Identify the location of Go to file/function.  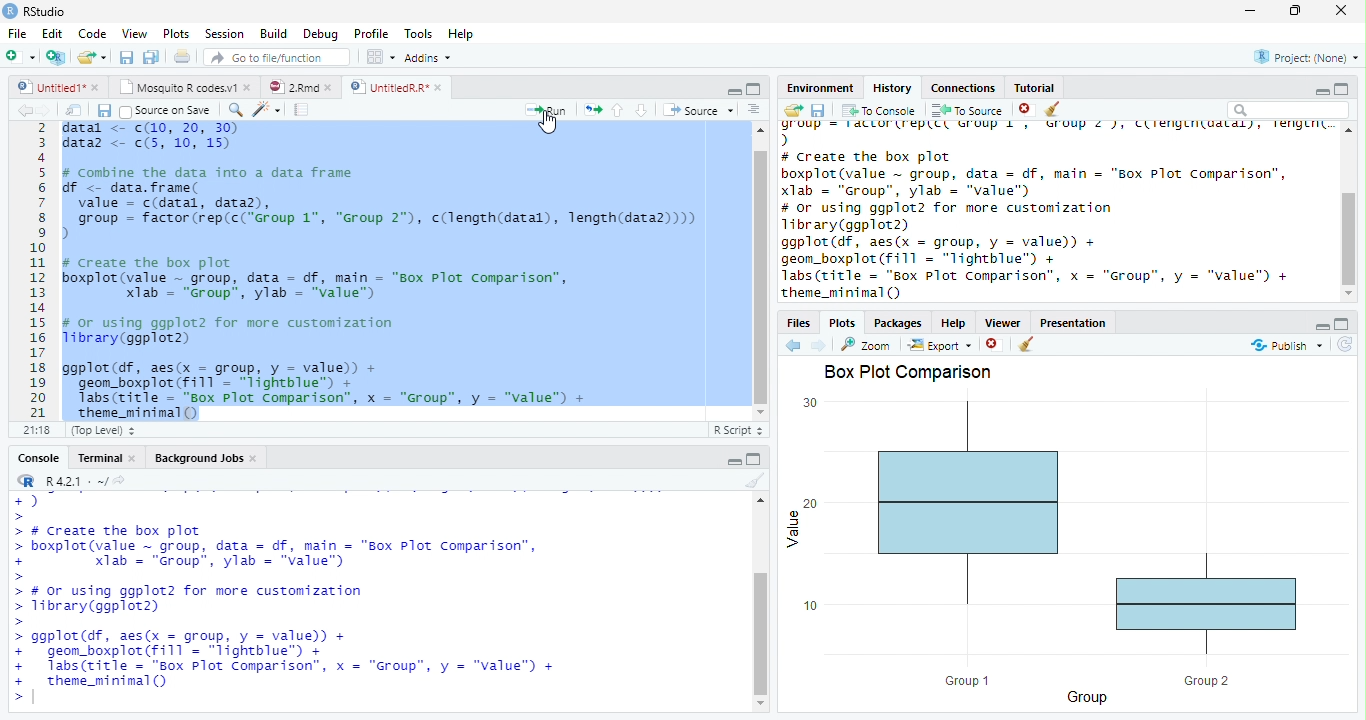
(278, 57).